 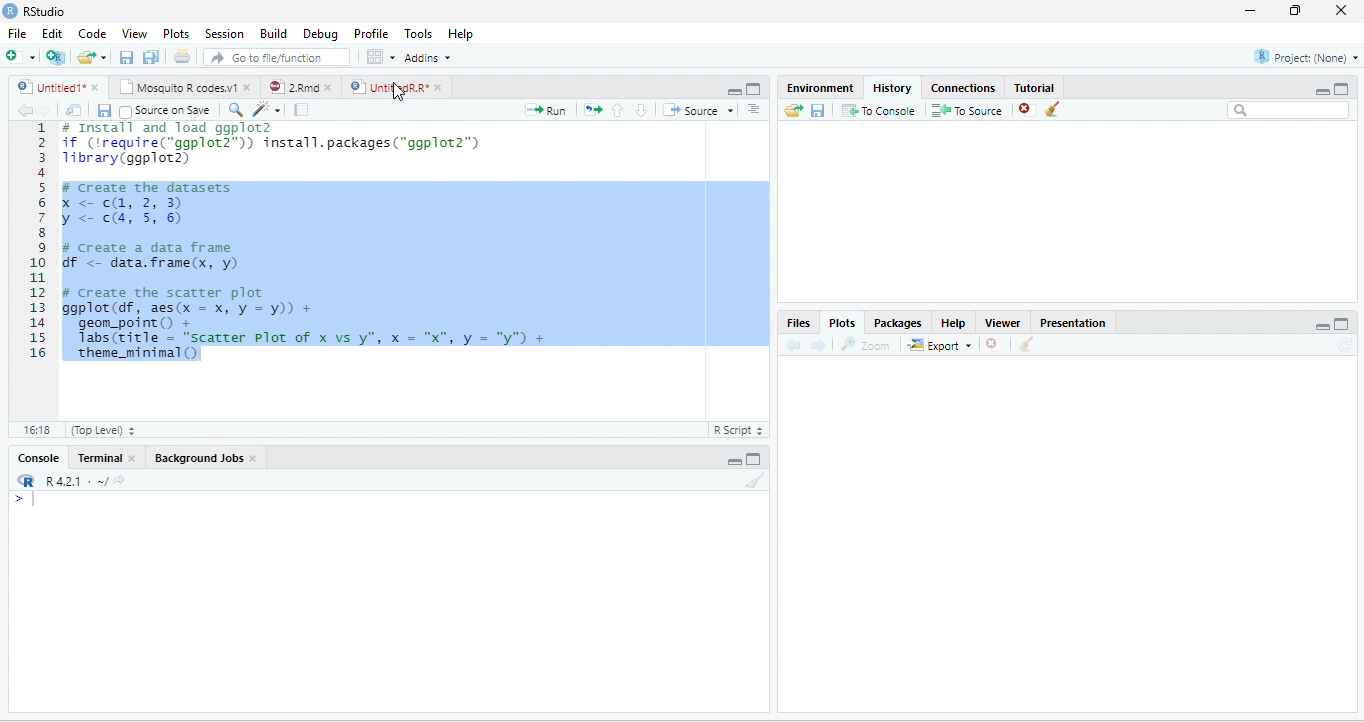 I want to click on Profile, so click(x=371, y=33).